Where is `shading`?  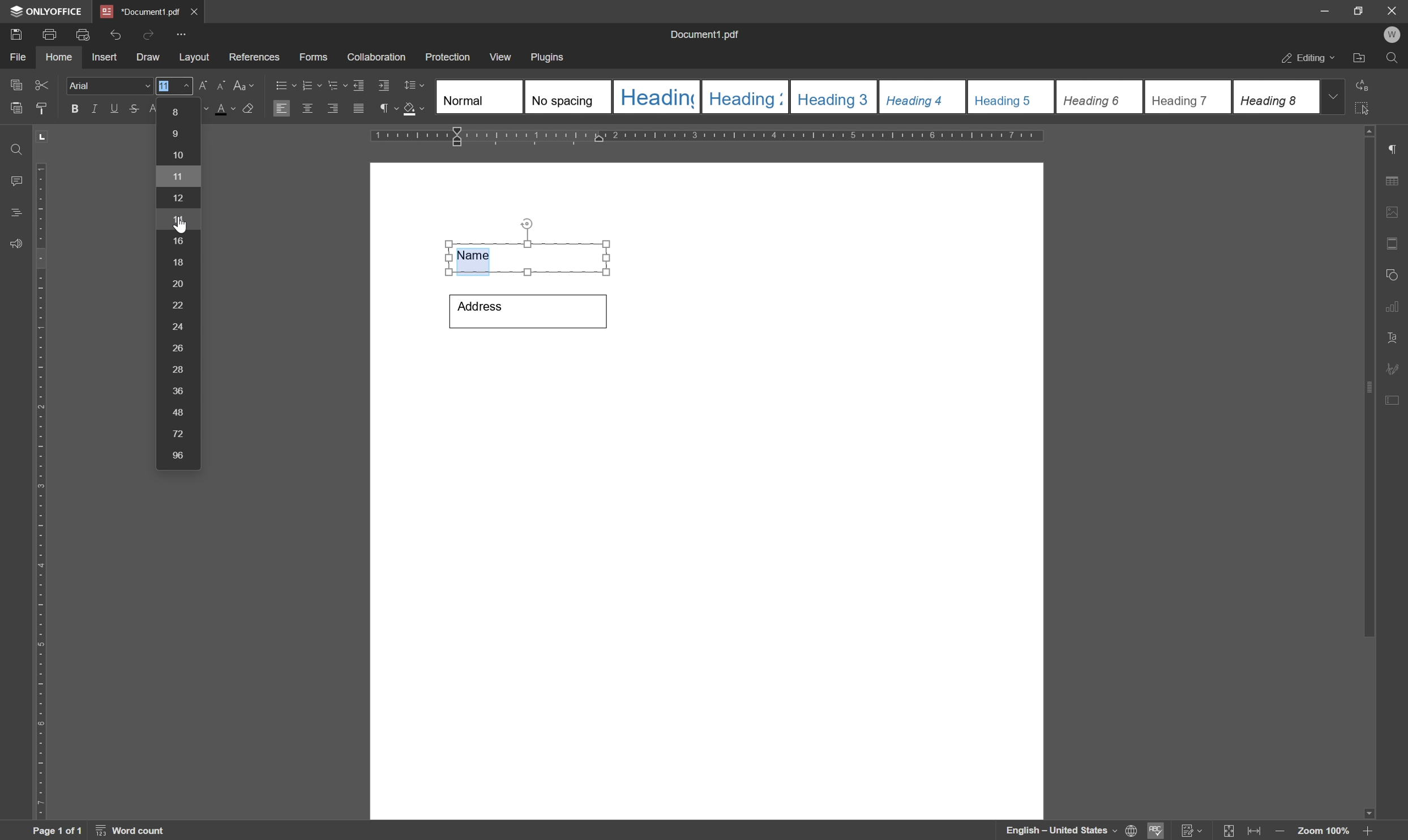 shading is located at coordinates (414, 110).